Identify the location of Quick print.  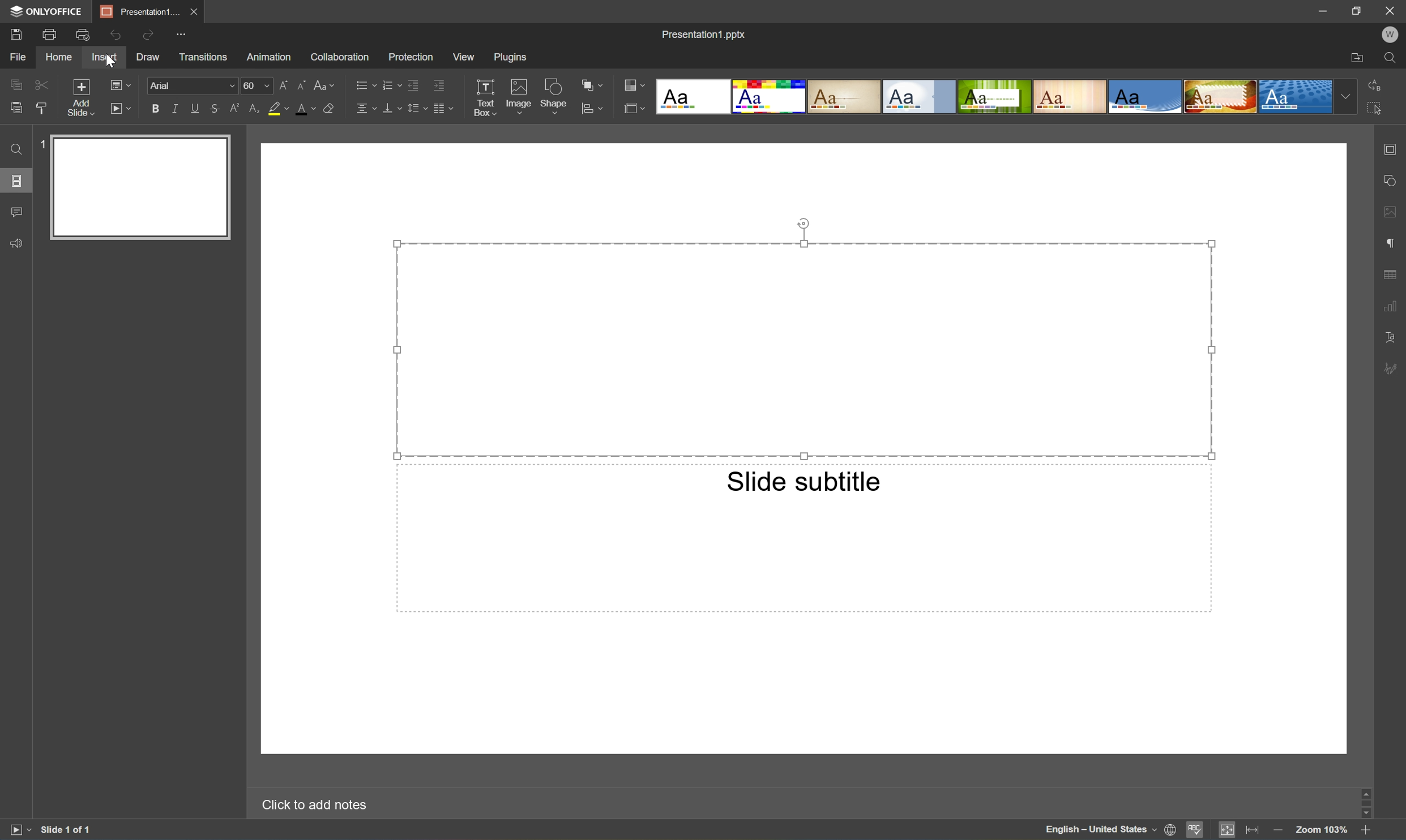
(81, 36).